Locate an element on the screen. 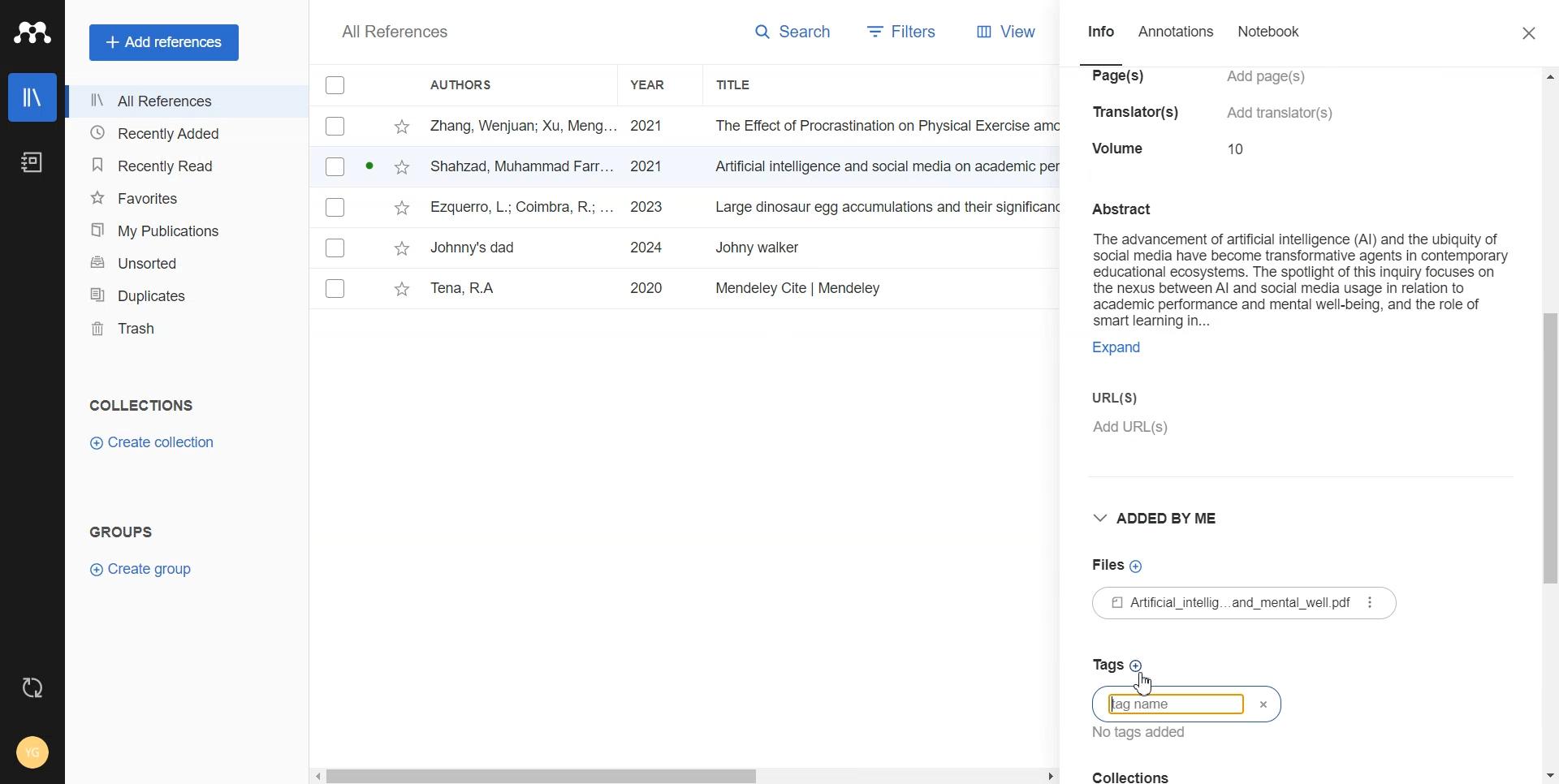 Image resolution: width=1559 pixels, height=784 pixels. Horizontal scroll bar is located at coordinates (685, 773).